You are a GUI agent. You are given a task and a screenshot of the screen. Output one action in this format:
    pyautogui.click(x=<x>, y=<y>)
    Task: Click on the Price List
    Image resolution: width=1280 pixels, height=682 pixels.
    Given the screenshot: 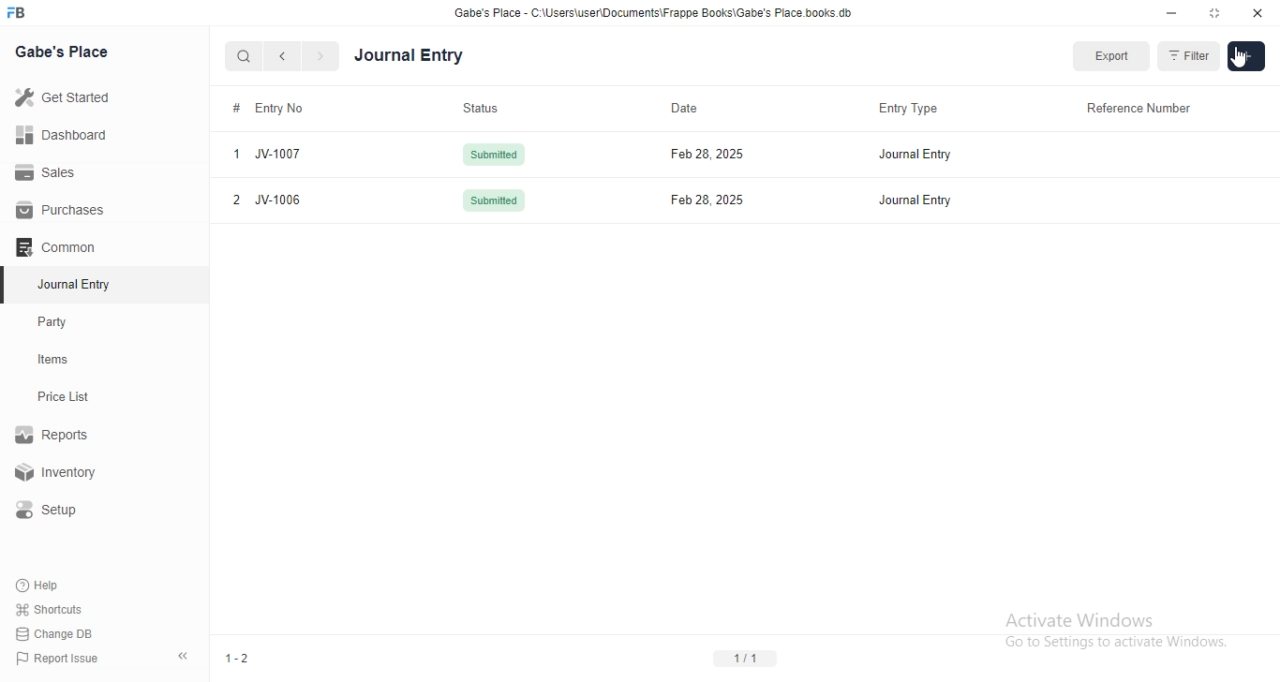 What is the action you would take?
    pyautogui.click(x=62, y=397)
    